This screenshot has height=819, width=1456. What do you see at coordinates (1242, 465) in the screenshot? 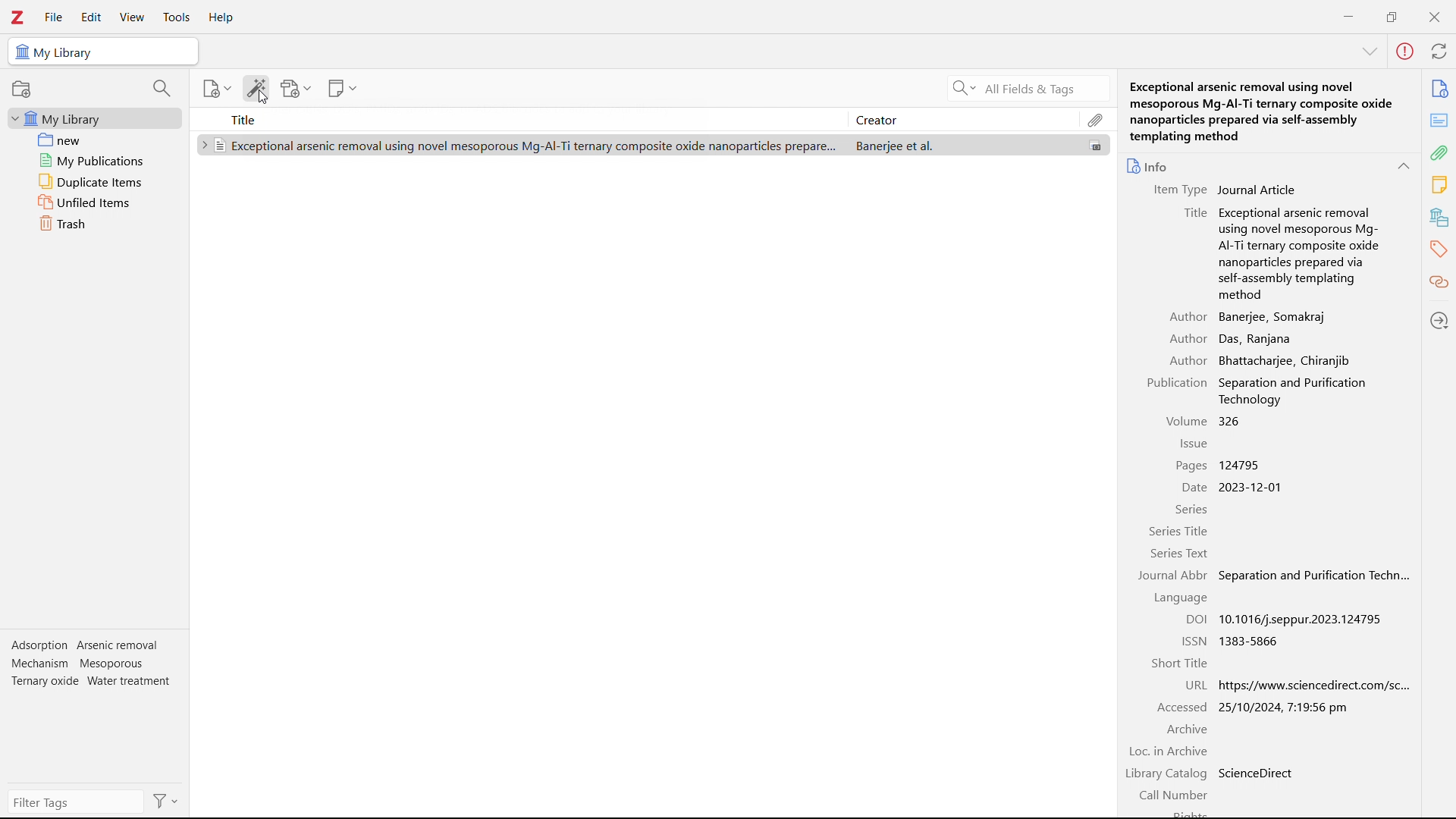
I see `1245795` at bounding box center [1242, 465].